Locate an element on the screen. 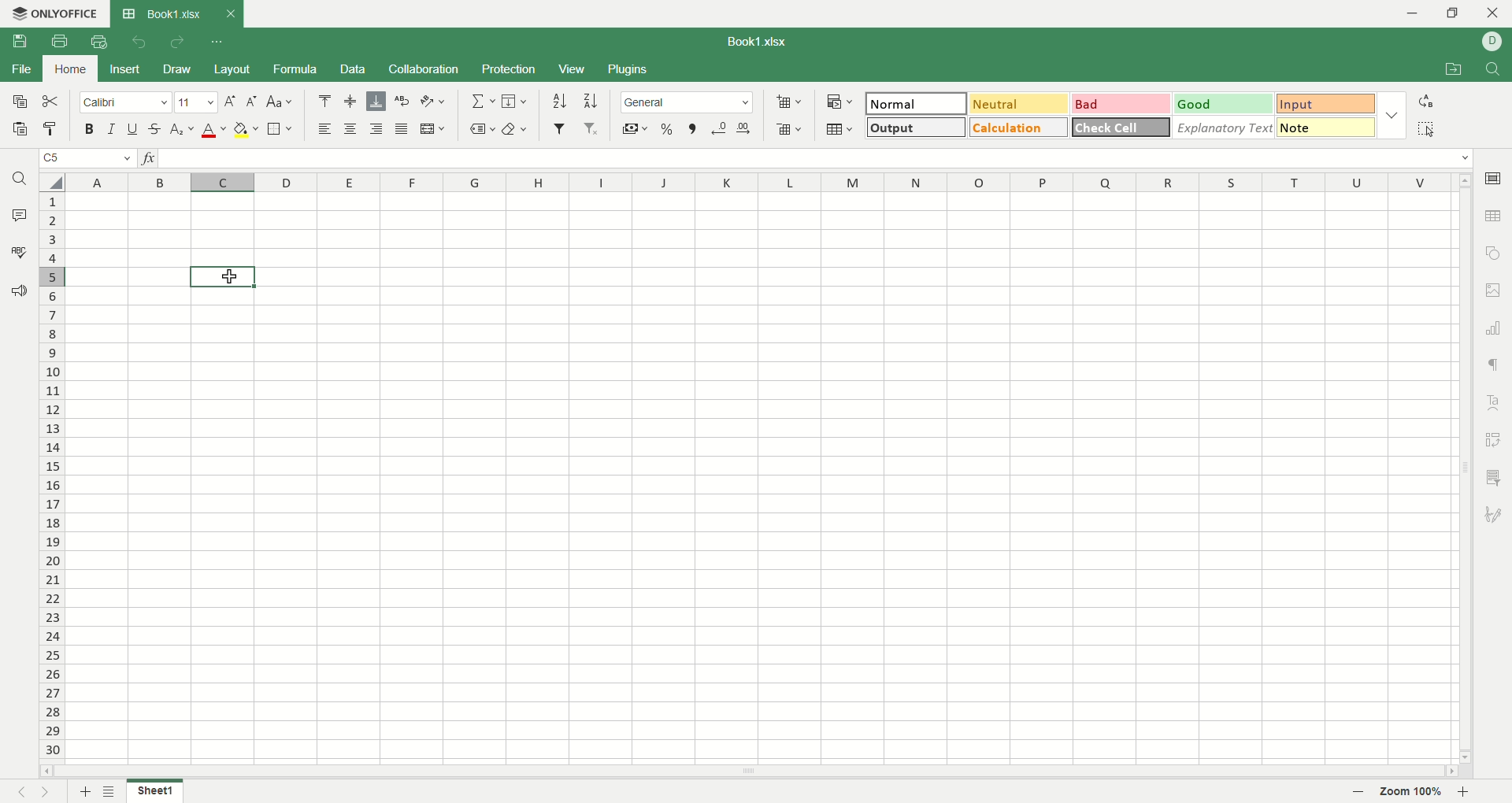 This screenshot has height=803, width=1512. maximize is located at coordinates (1455, 13).